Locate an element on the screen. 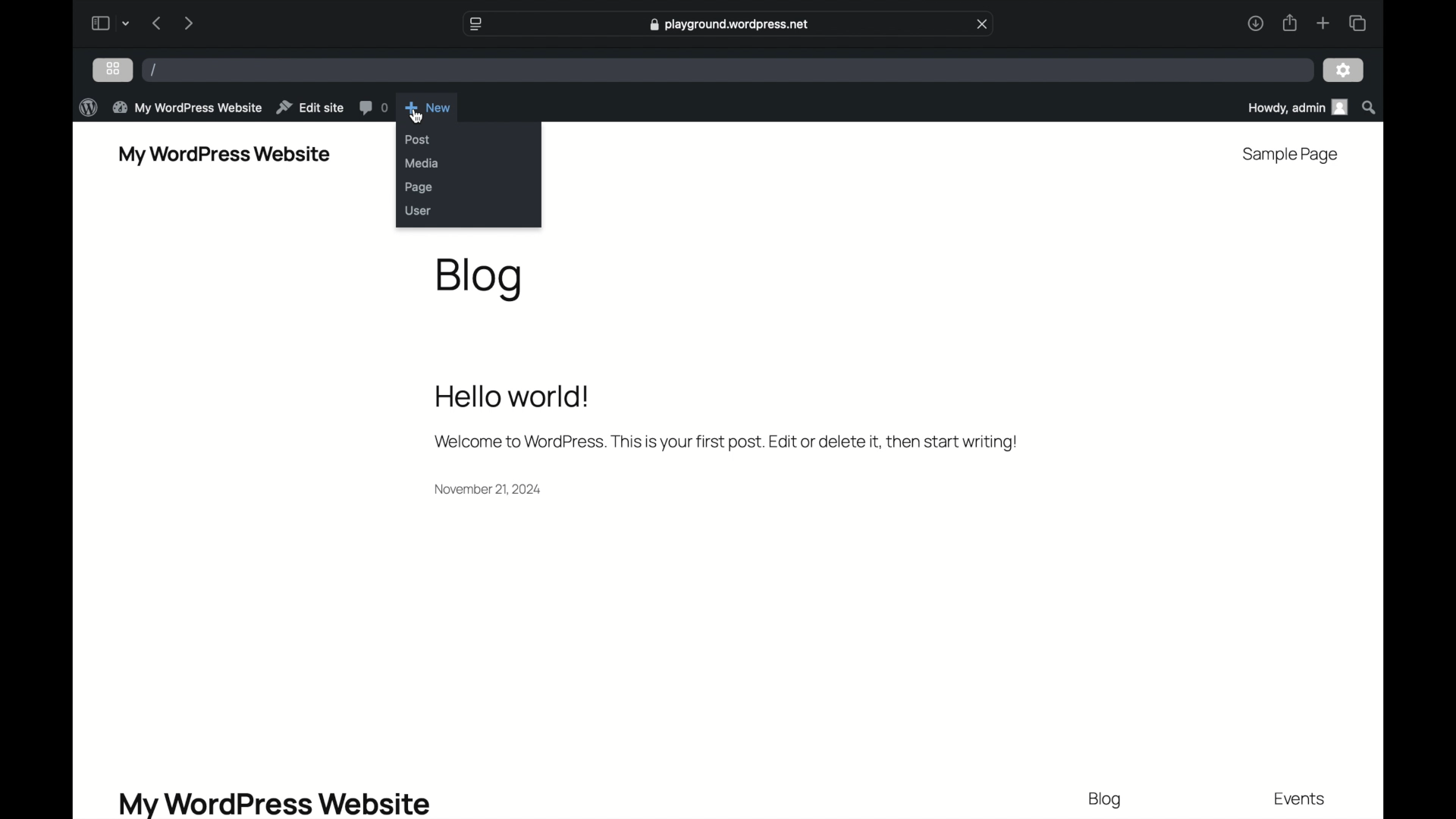  web address is located at coordinates (728, 24).